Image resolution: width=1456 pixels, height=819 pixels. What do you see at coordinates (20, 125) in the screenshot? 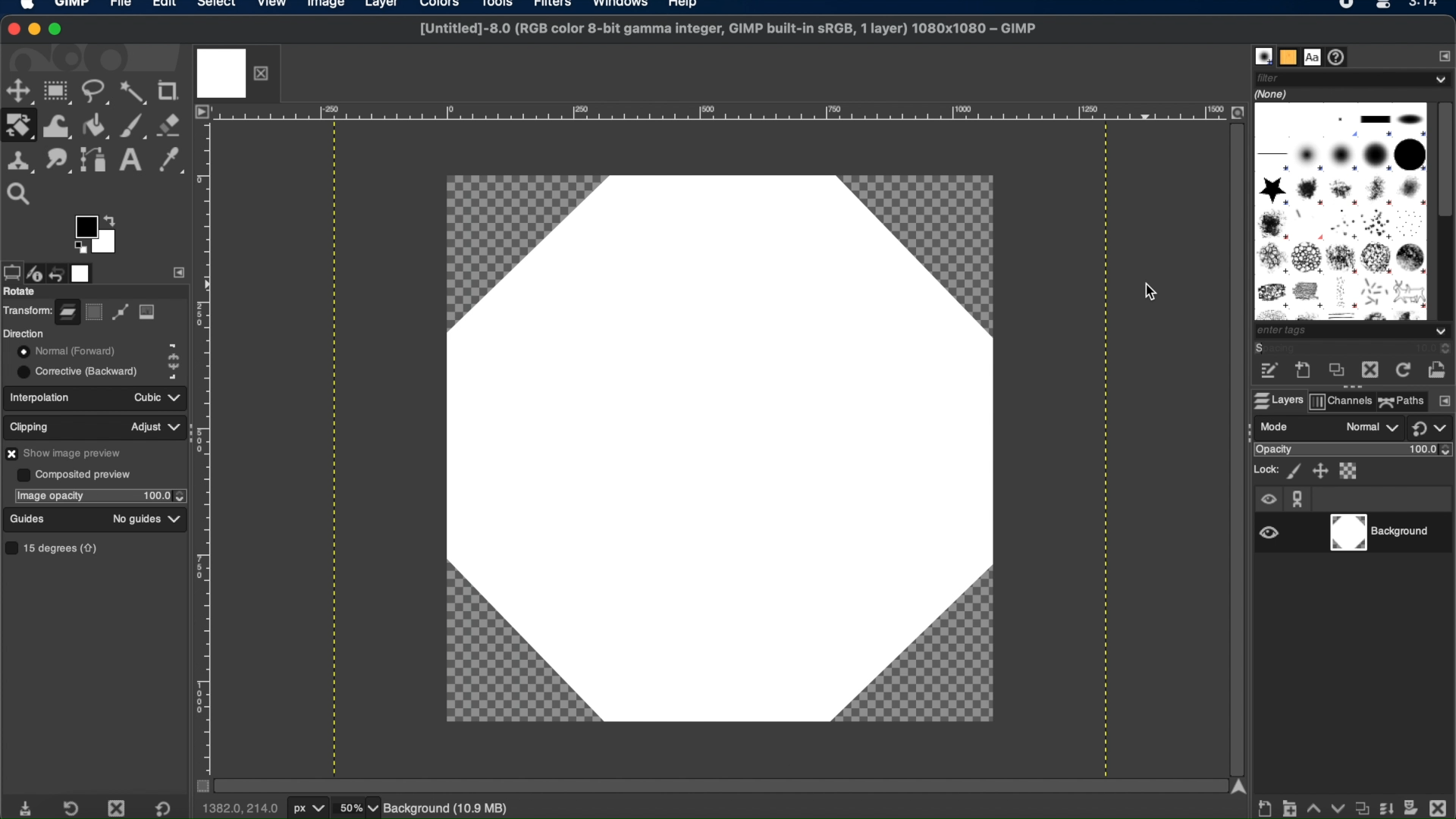
I see `rotate tool` at bounding box center [20, 125].